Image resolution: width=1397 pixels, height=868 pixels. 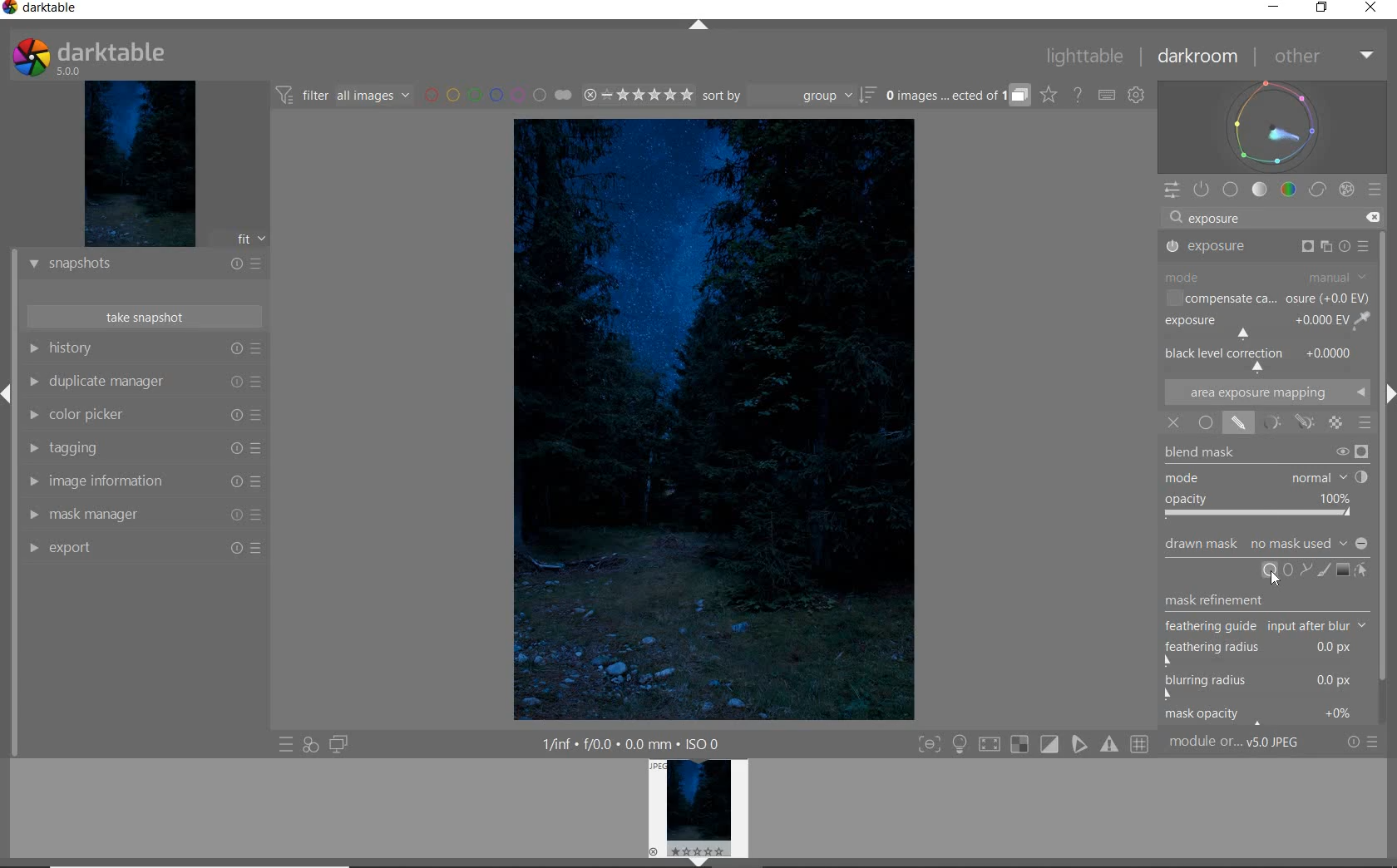 What do you see at coordinates (1266, 298) in the screenshot?
I see `COMPENSATE CA...OSURE` at bounding box center [1266, 298].